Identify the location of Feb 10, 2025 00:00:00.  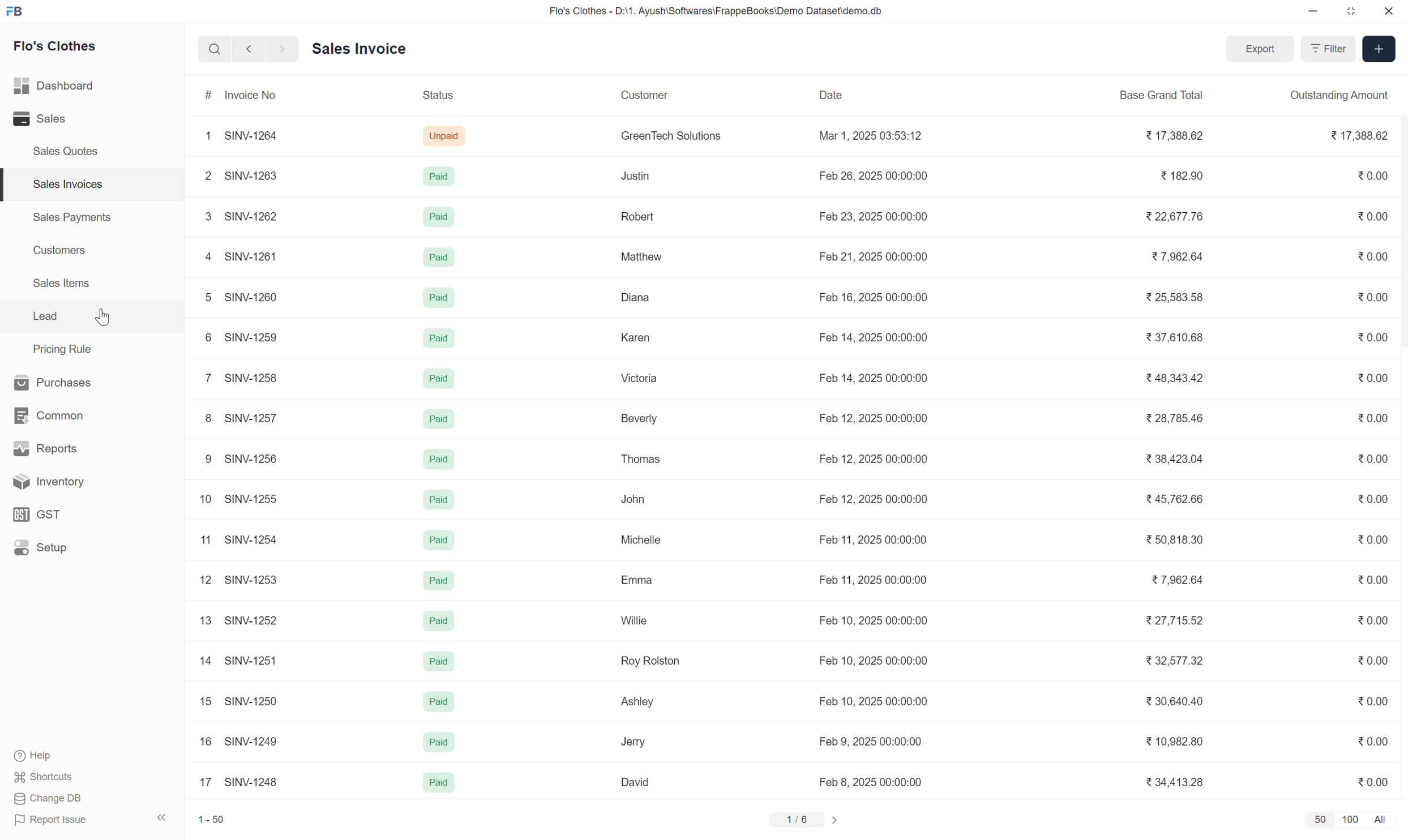
(871, 620).